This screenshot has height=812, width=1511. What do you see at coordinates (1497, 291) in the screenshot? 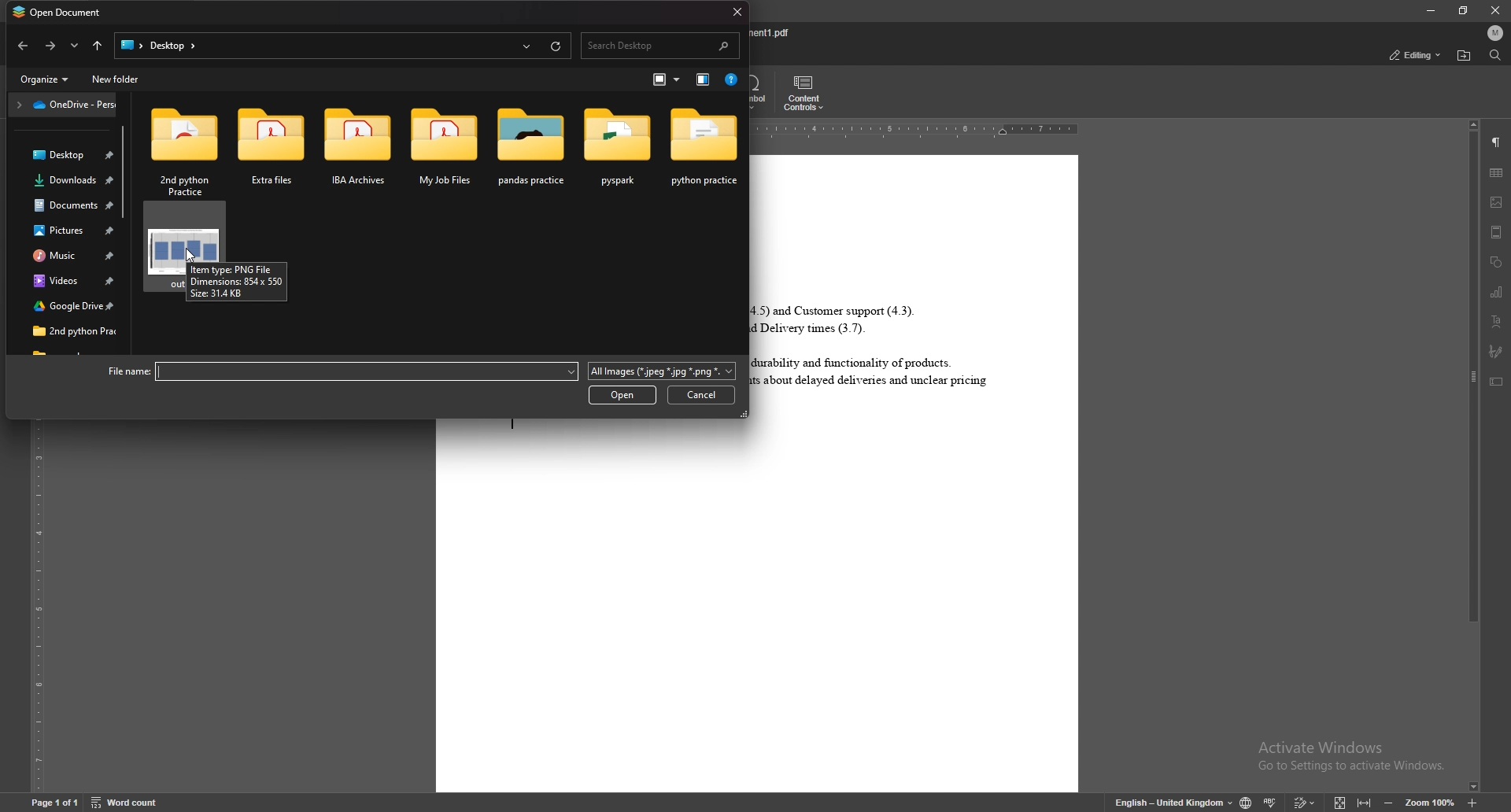
I see `chart` at bounding box center [1497, 291].